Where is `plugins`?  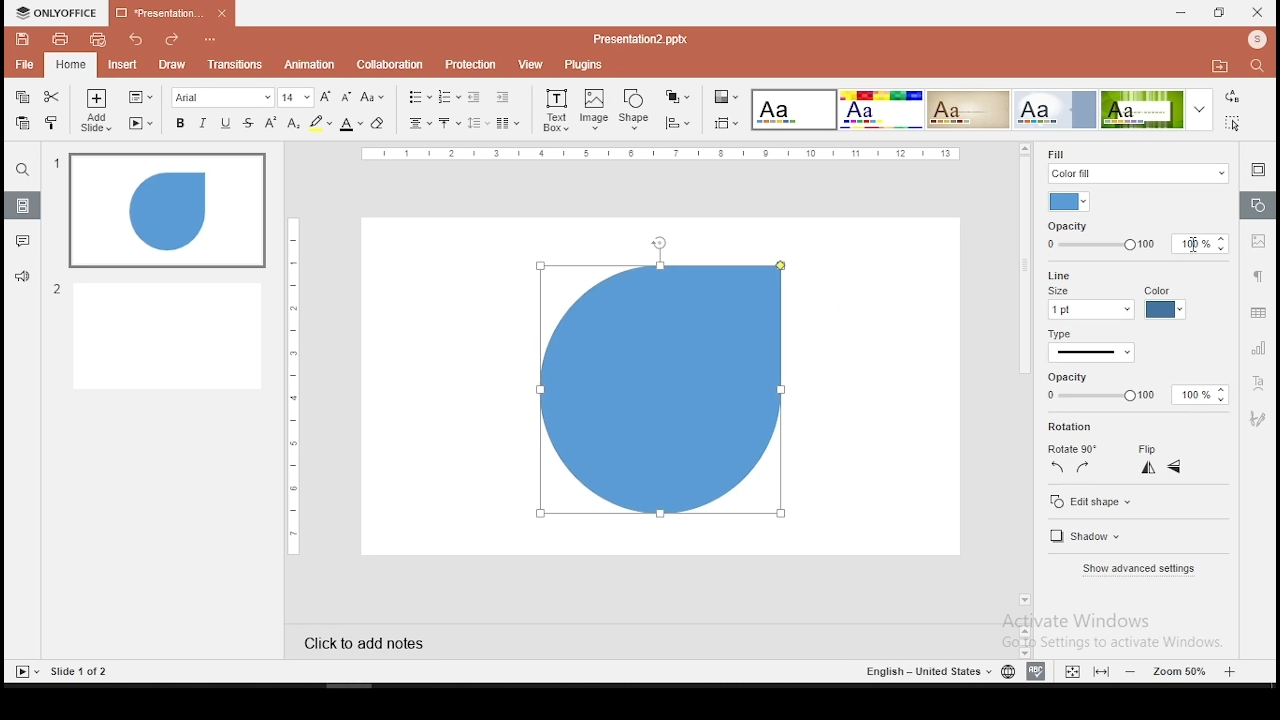
plugins is located at coordinates (584, 64).